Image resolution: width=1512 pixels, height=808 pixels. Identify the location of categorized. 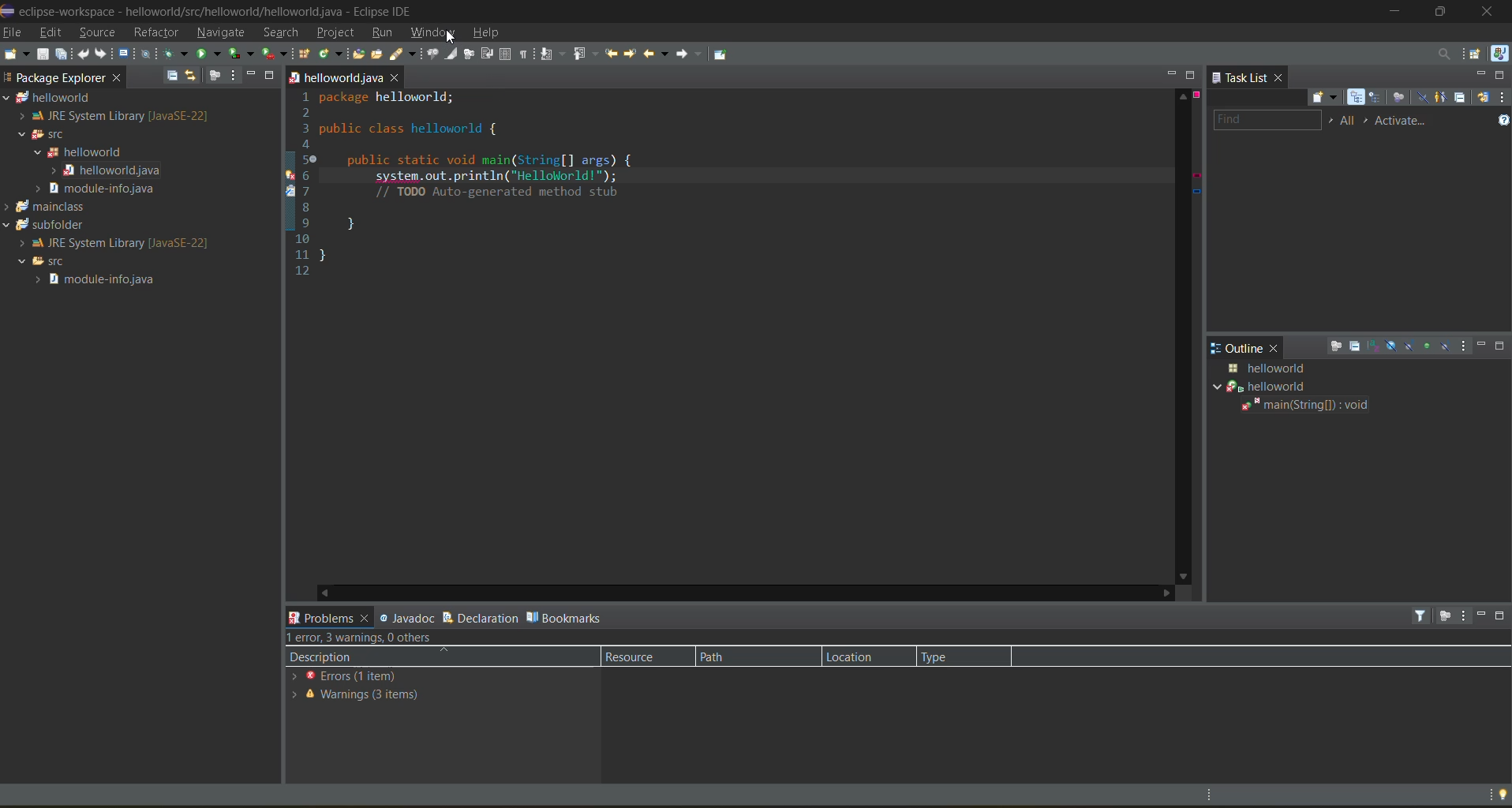
(1357, 95).